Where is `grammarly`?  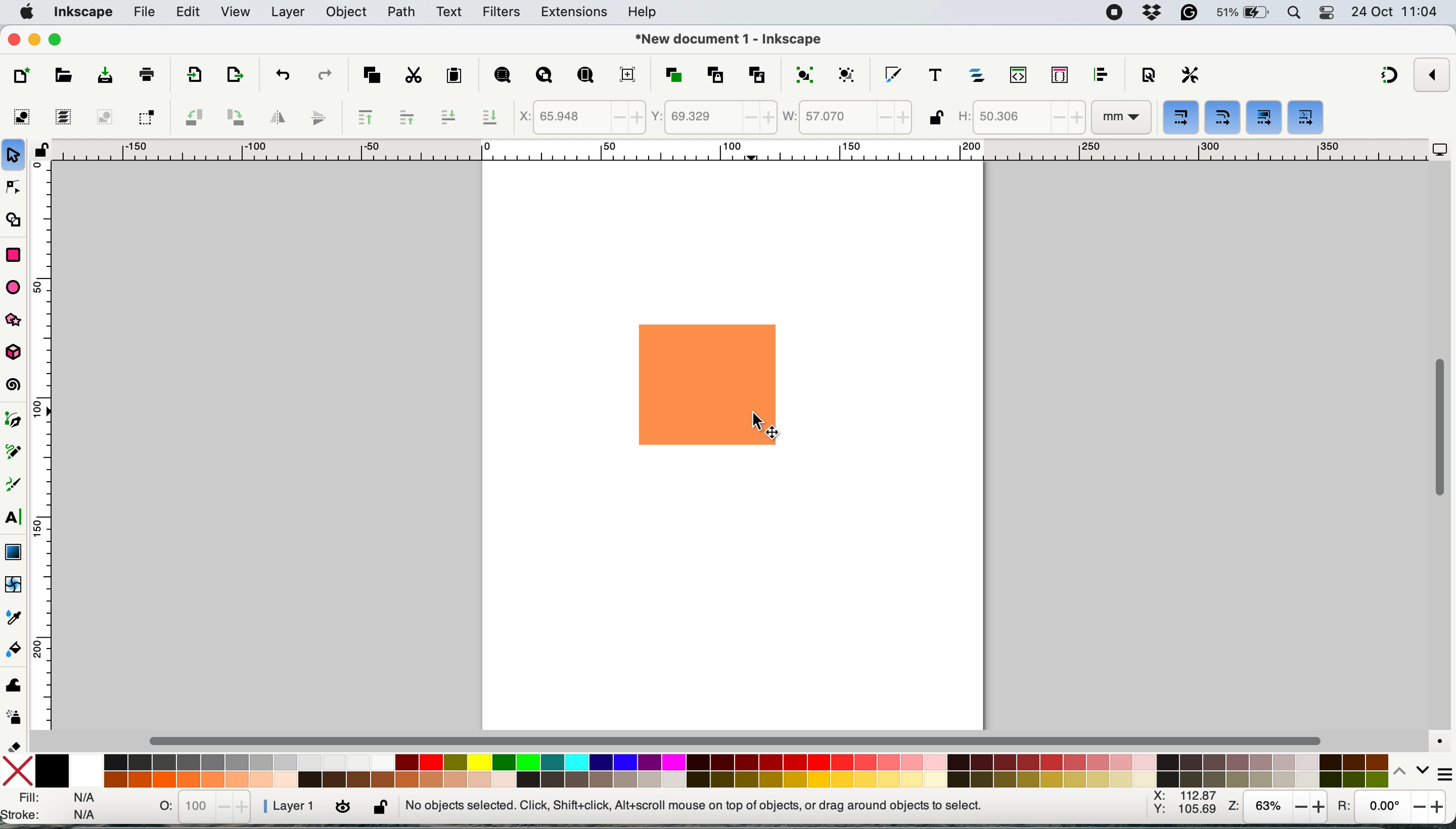
grammarly is located at coordinates (1191, 14).